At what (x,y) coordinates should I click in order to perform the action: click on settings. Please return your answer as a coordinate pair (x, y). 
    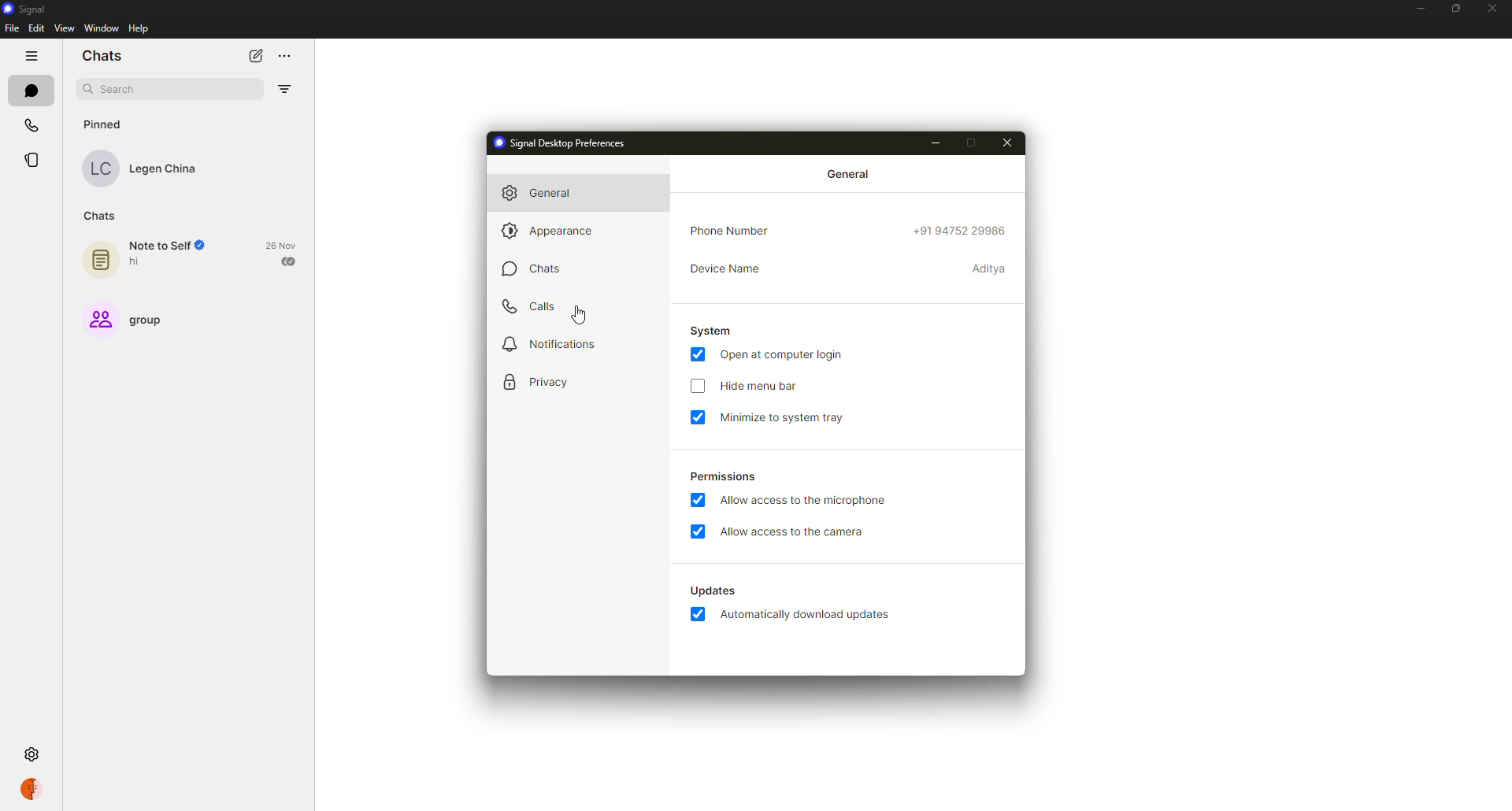
    Looking at the image, I should click on (34, 756).